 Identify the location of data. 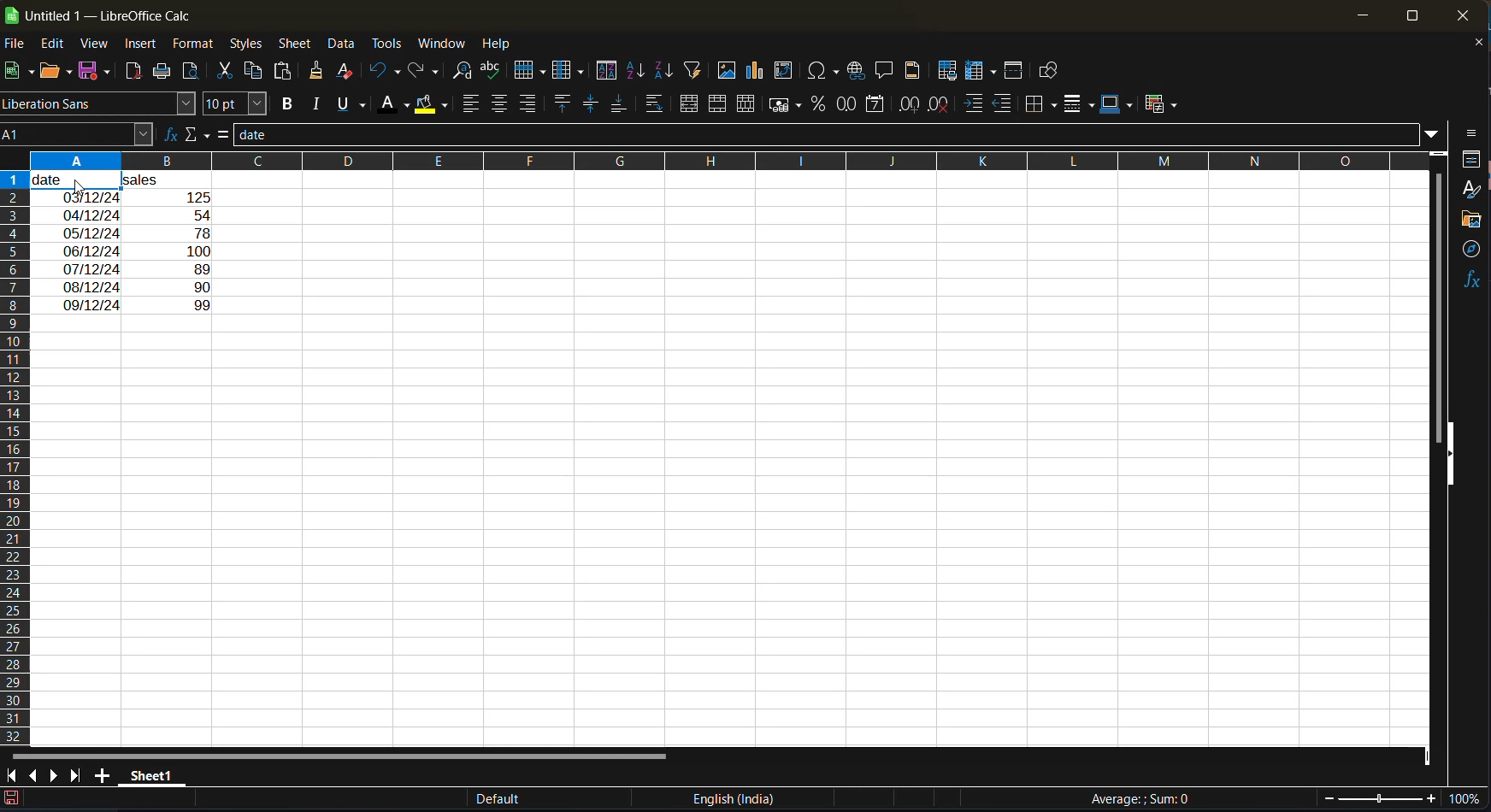
(343, 44).